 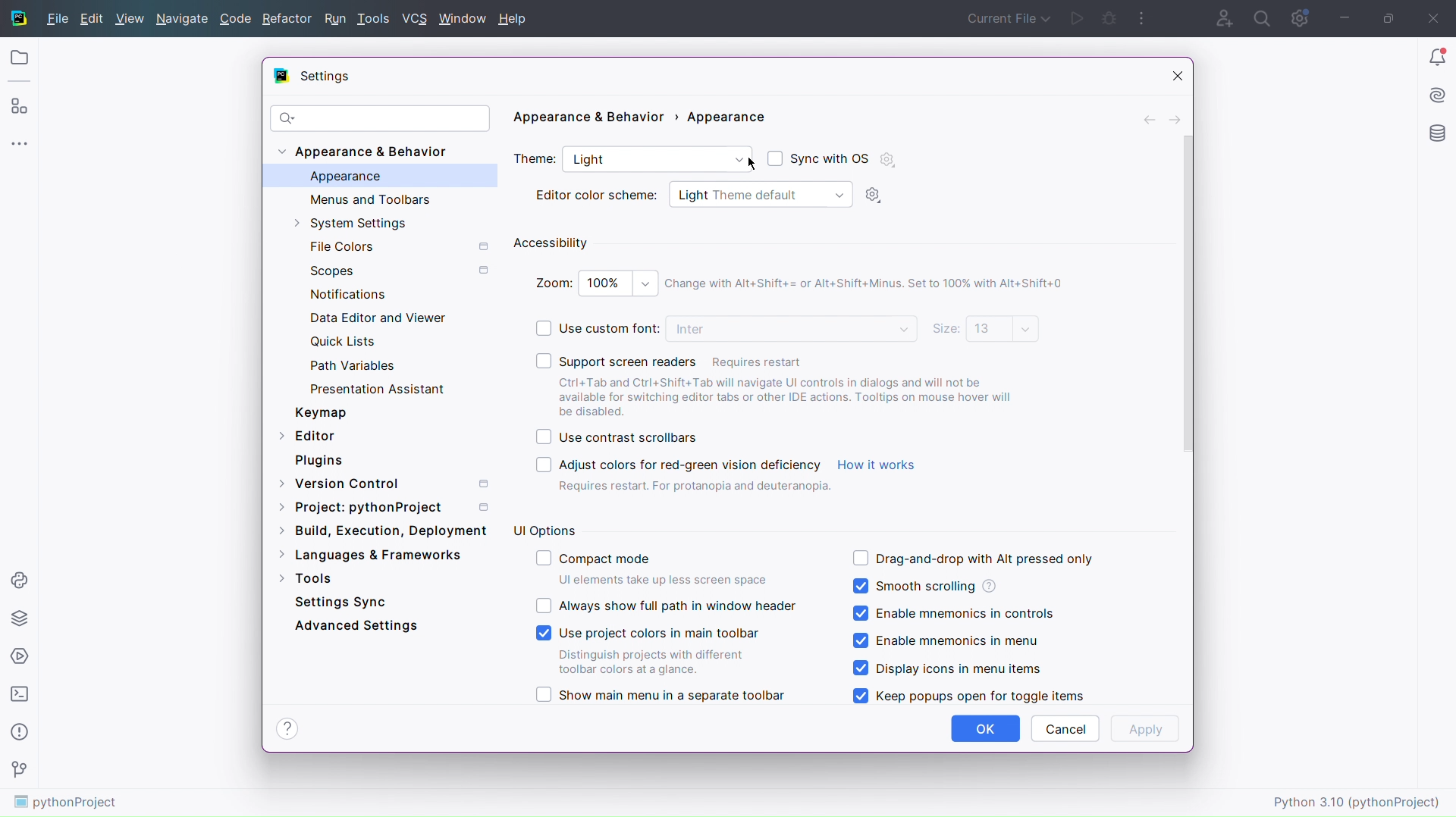 I want to click on Drag-and-drop , so click(x=972, y=557).